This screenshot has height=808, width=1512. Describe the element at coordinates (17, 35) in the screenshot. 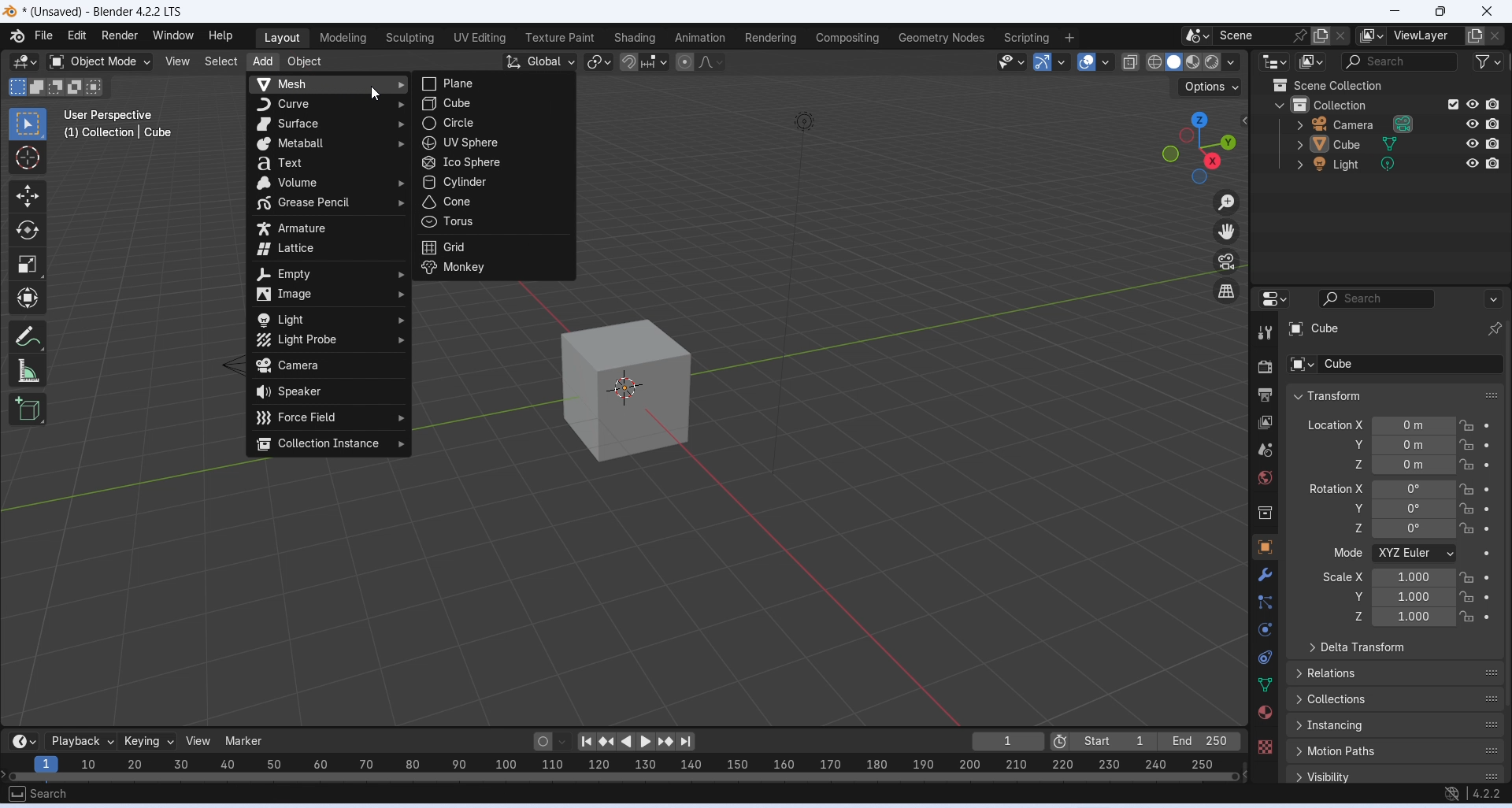

I see `Logo` at that location.